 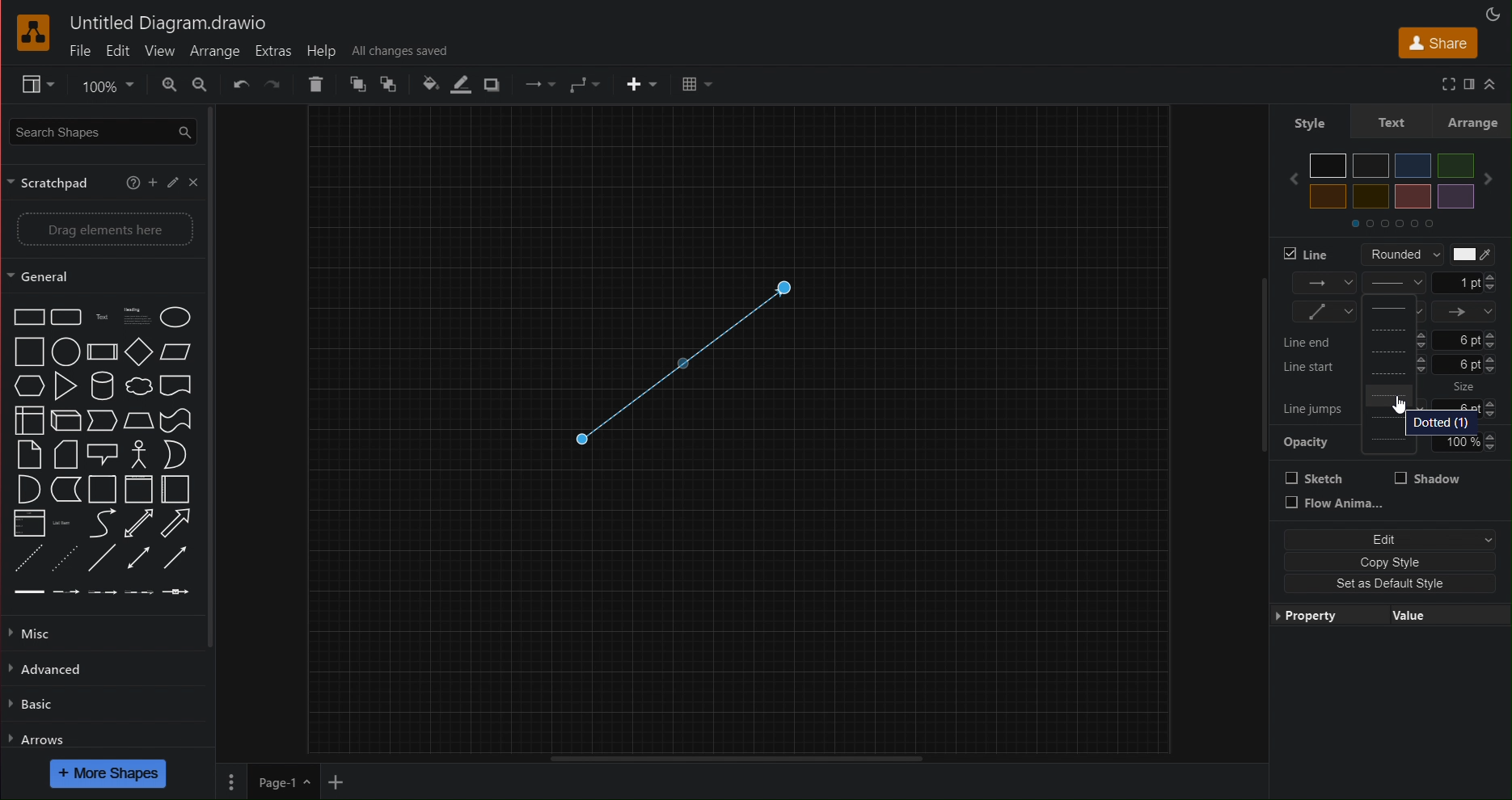 I want to click on Line Jumps, so click(x=1314, y=406).